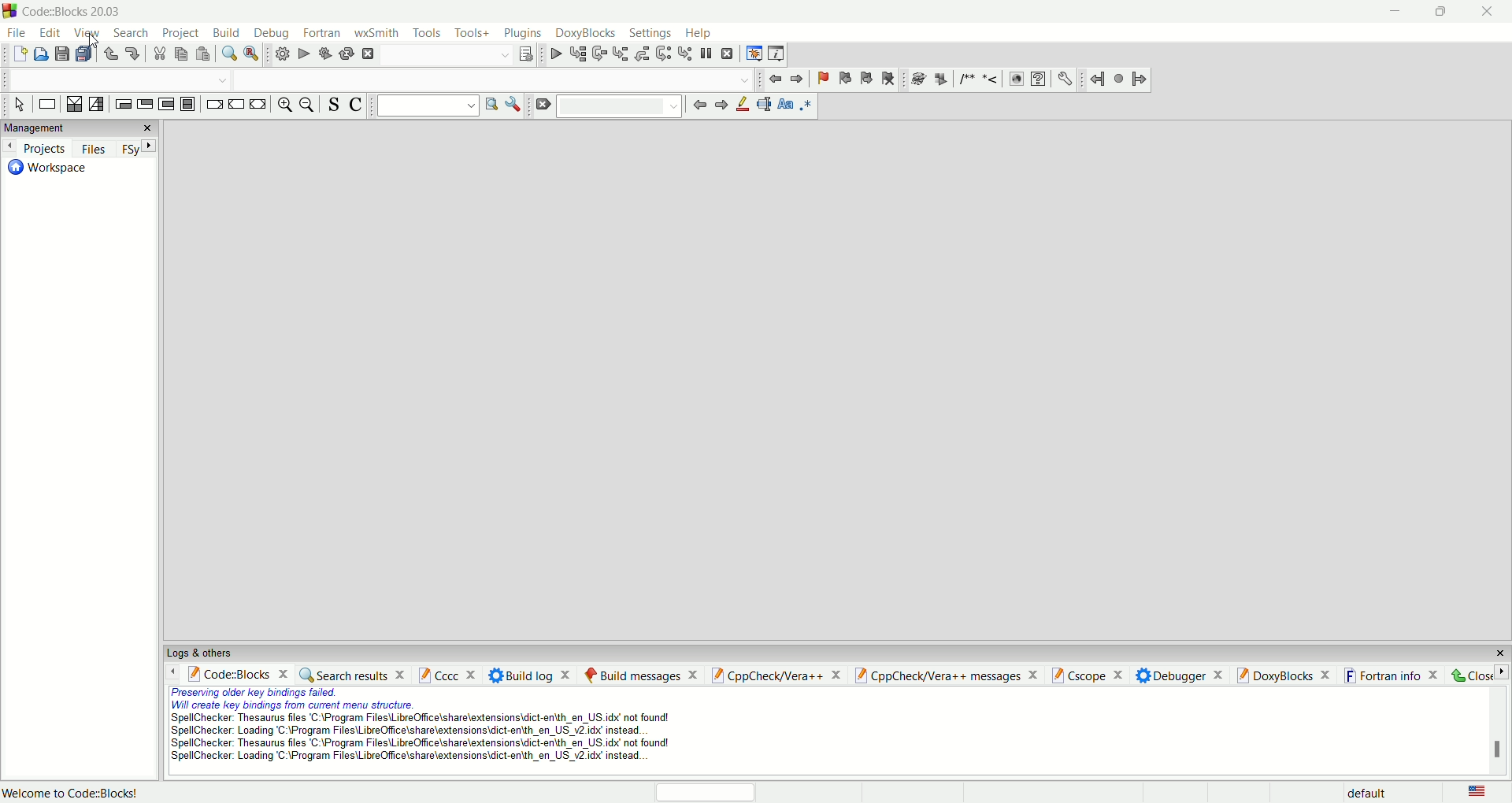 Image resolution: width=1512 pixels, height=803 pixels. Describe the element at coordinates (1495, 731) in the screenshot. I see `vertical scroll bar` at that location.